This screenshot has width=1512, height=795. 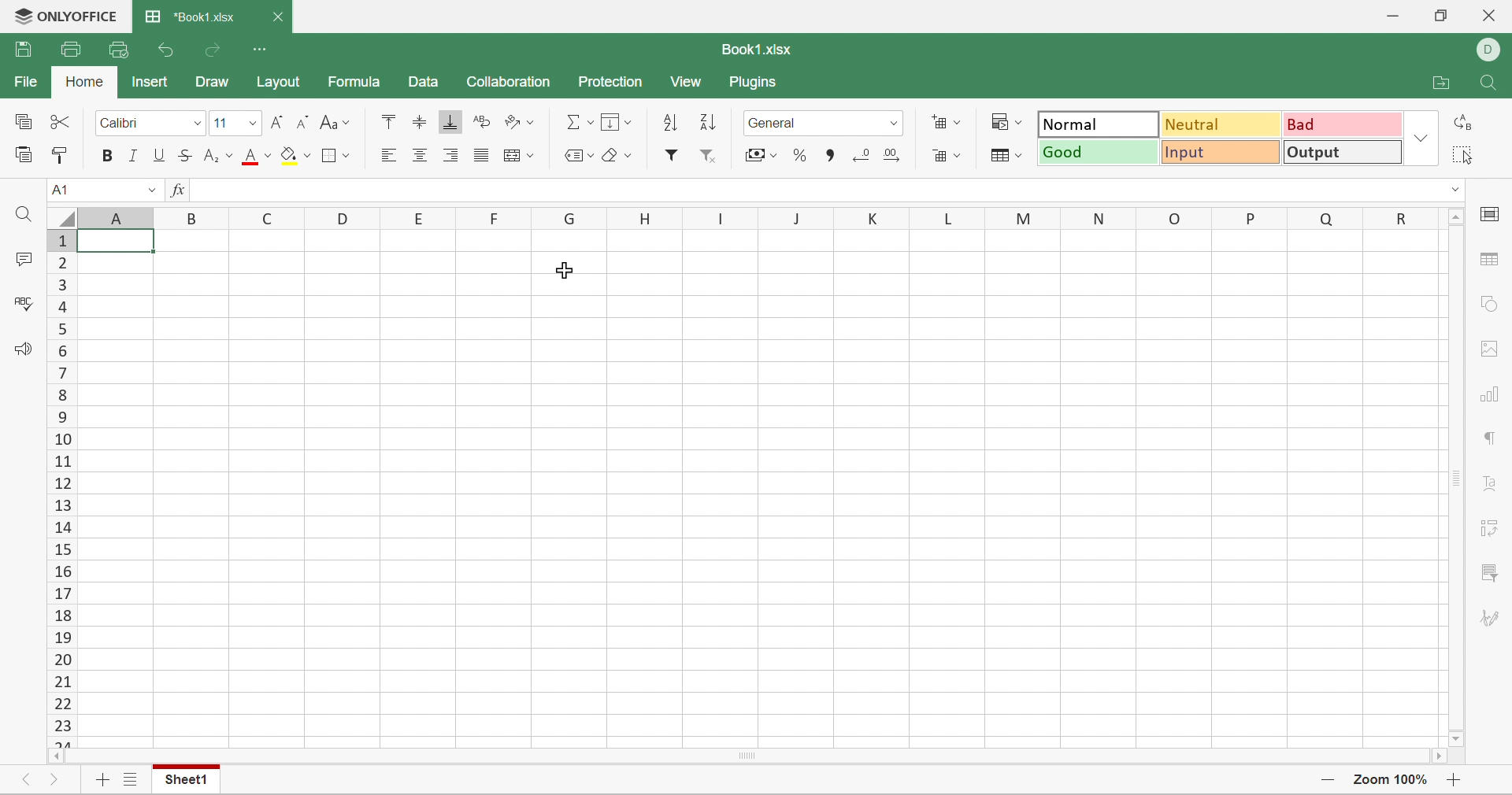 What do you see at coordinates (898, 124) in the screenshot?
I see `Drop down` at bounding box center [898, 124].